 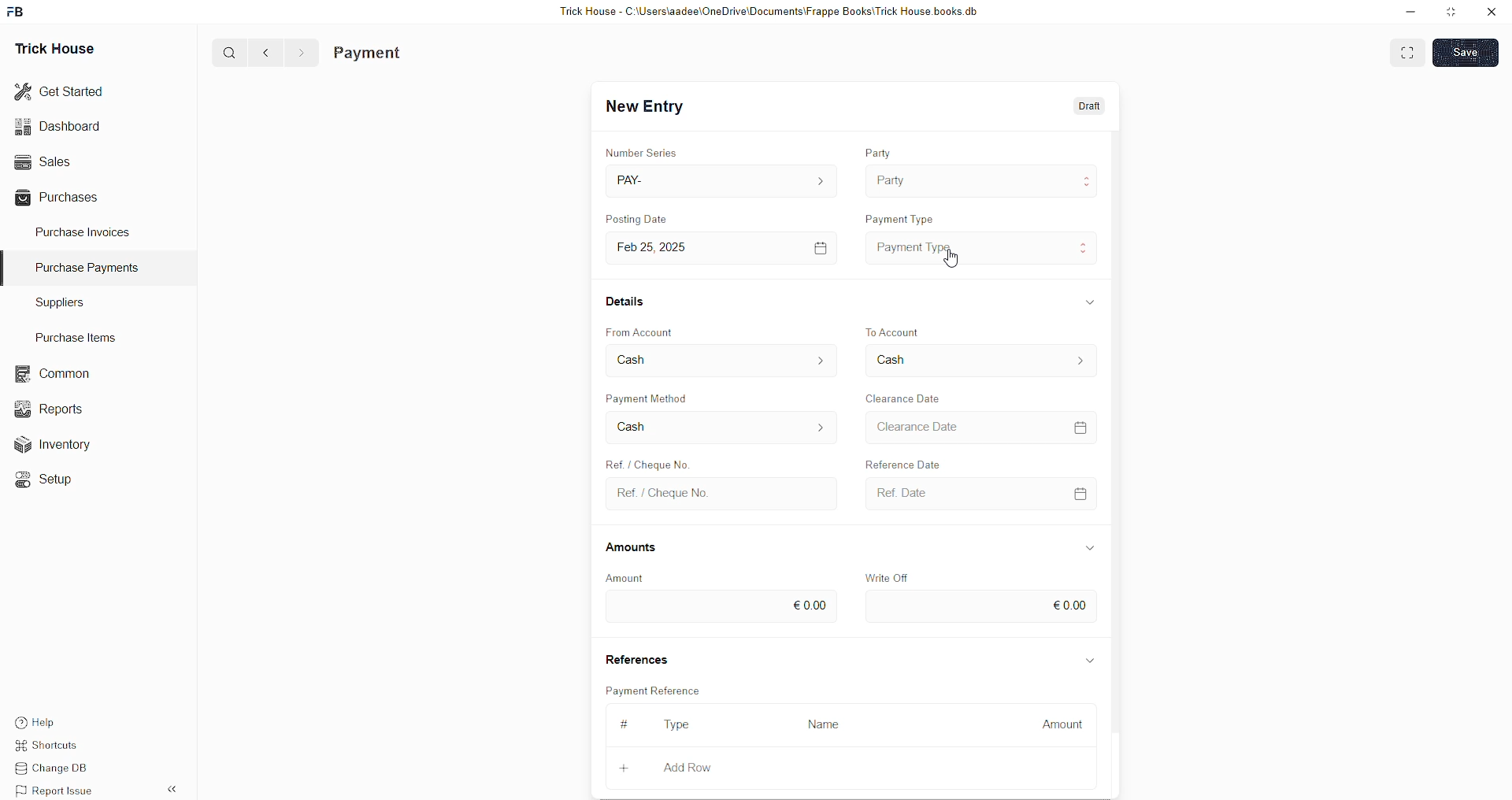 I want to click on CALENDER, so click(x=1080, y=492).